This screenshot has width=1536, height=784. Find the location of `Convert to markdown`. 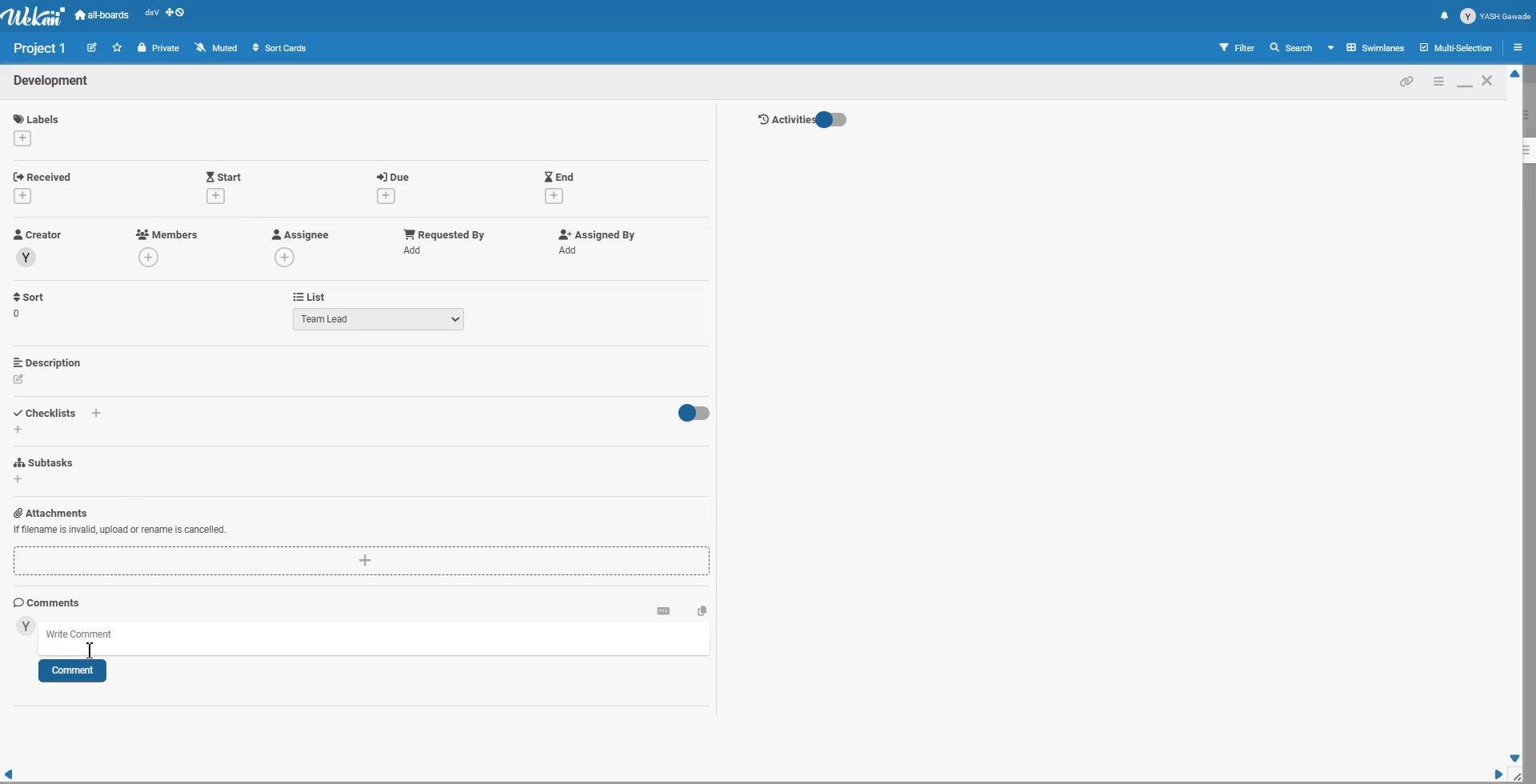

Convert to markdown is located at coordinates (663, 610).